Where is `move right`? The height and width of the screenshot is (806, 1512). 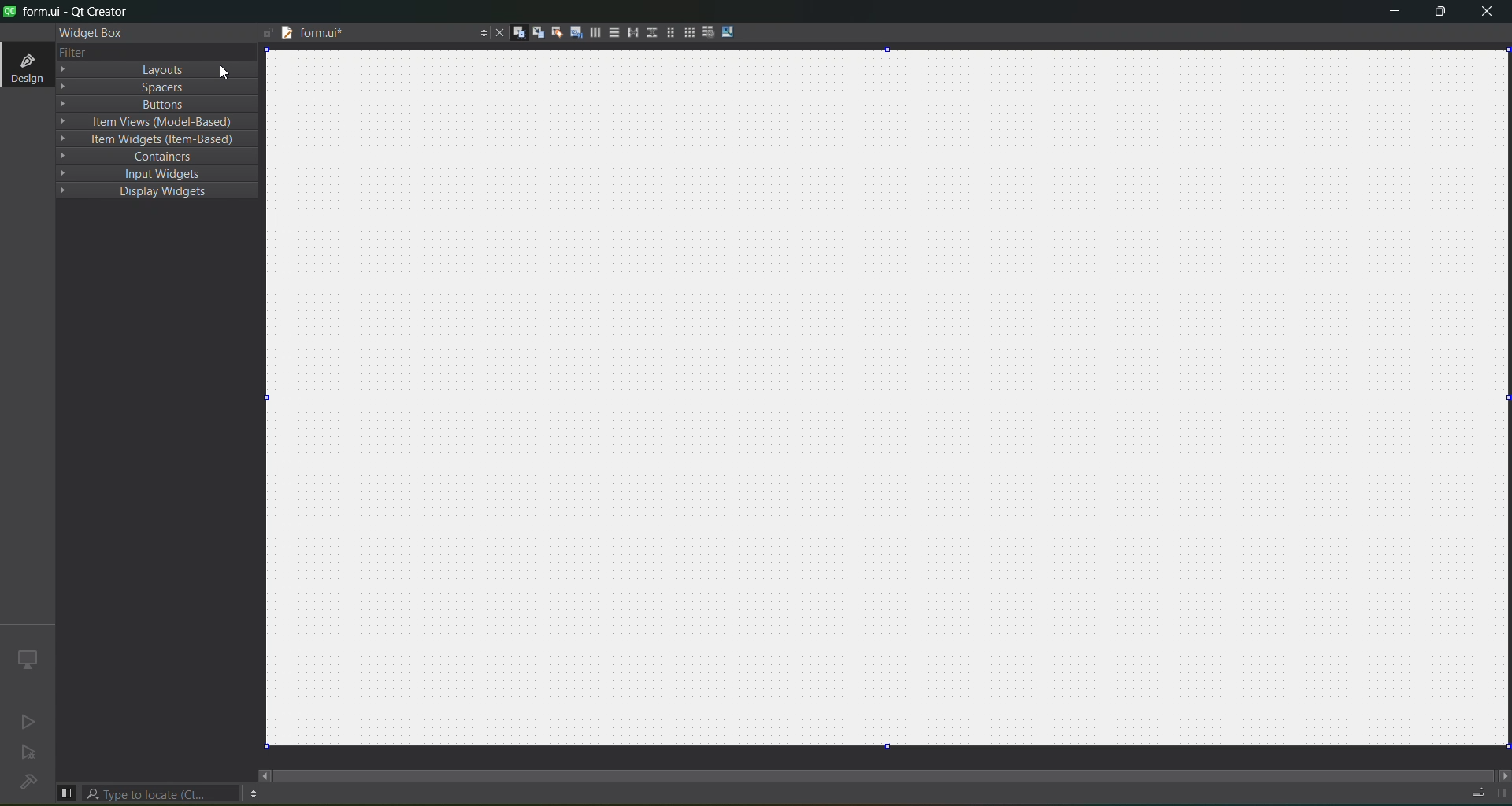 move right is located at coordinates (1501, 774).